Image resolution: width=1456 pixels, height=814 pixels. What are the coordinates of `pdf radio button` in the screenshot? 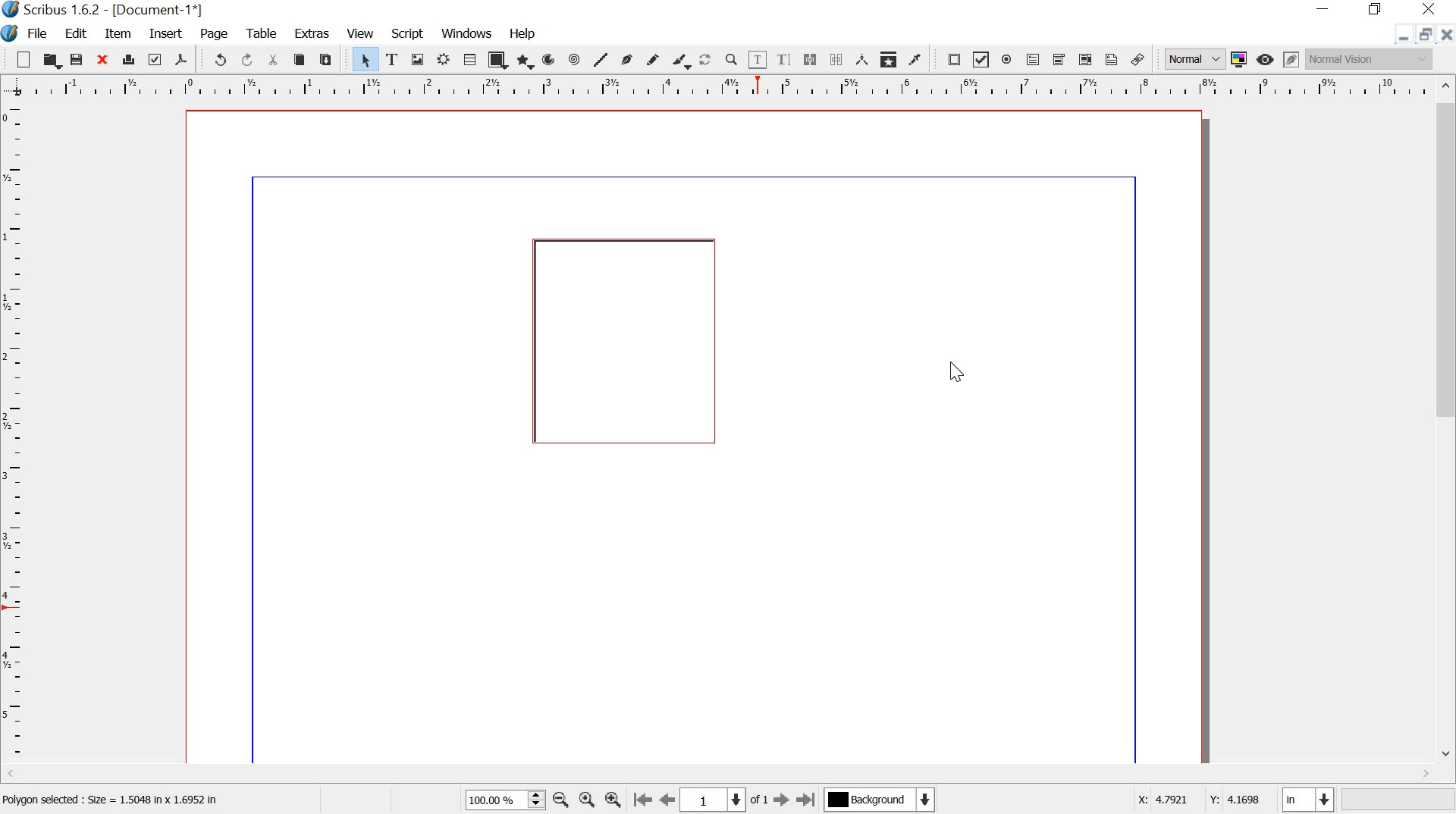 It's located at (1009, 61).